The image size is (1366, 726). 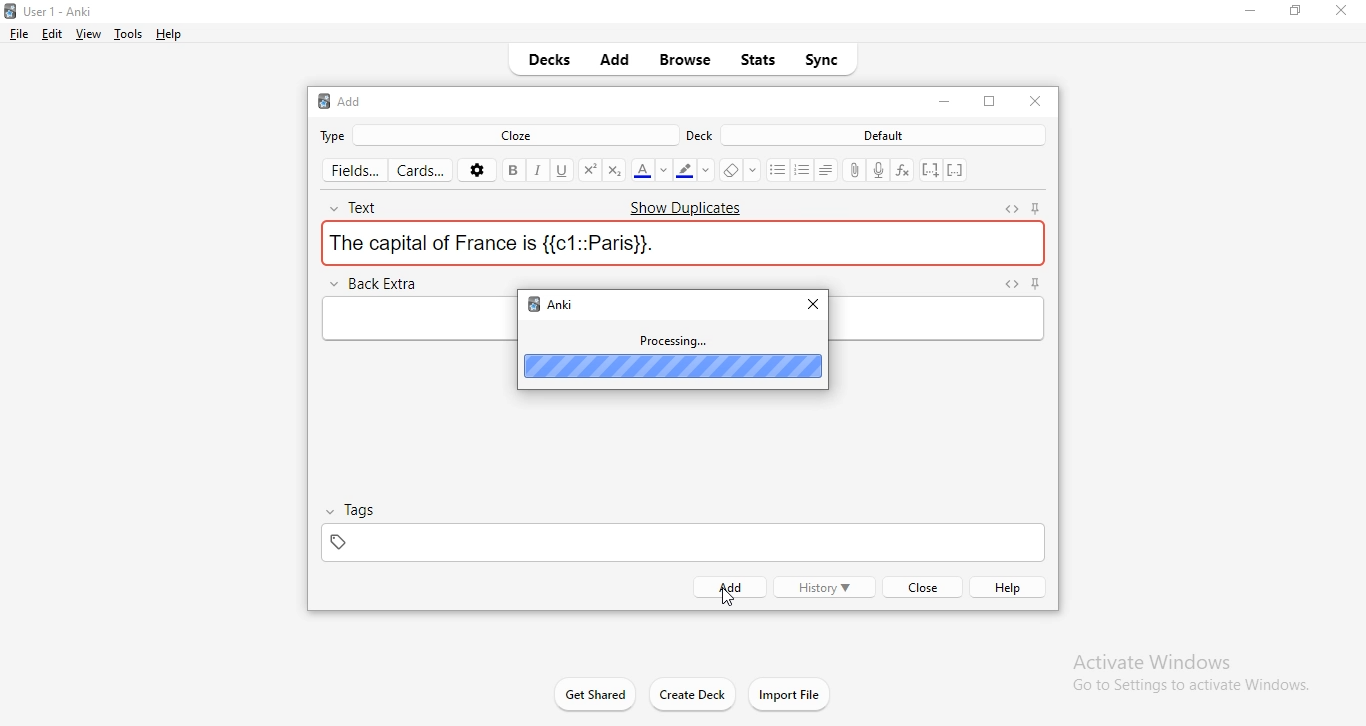 I want to click on sucscript, so click(x=615, y=169).